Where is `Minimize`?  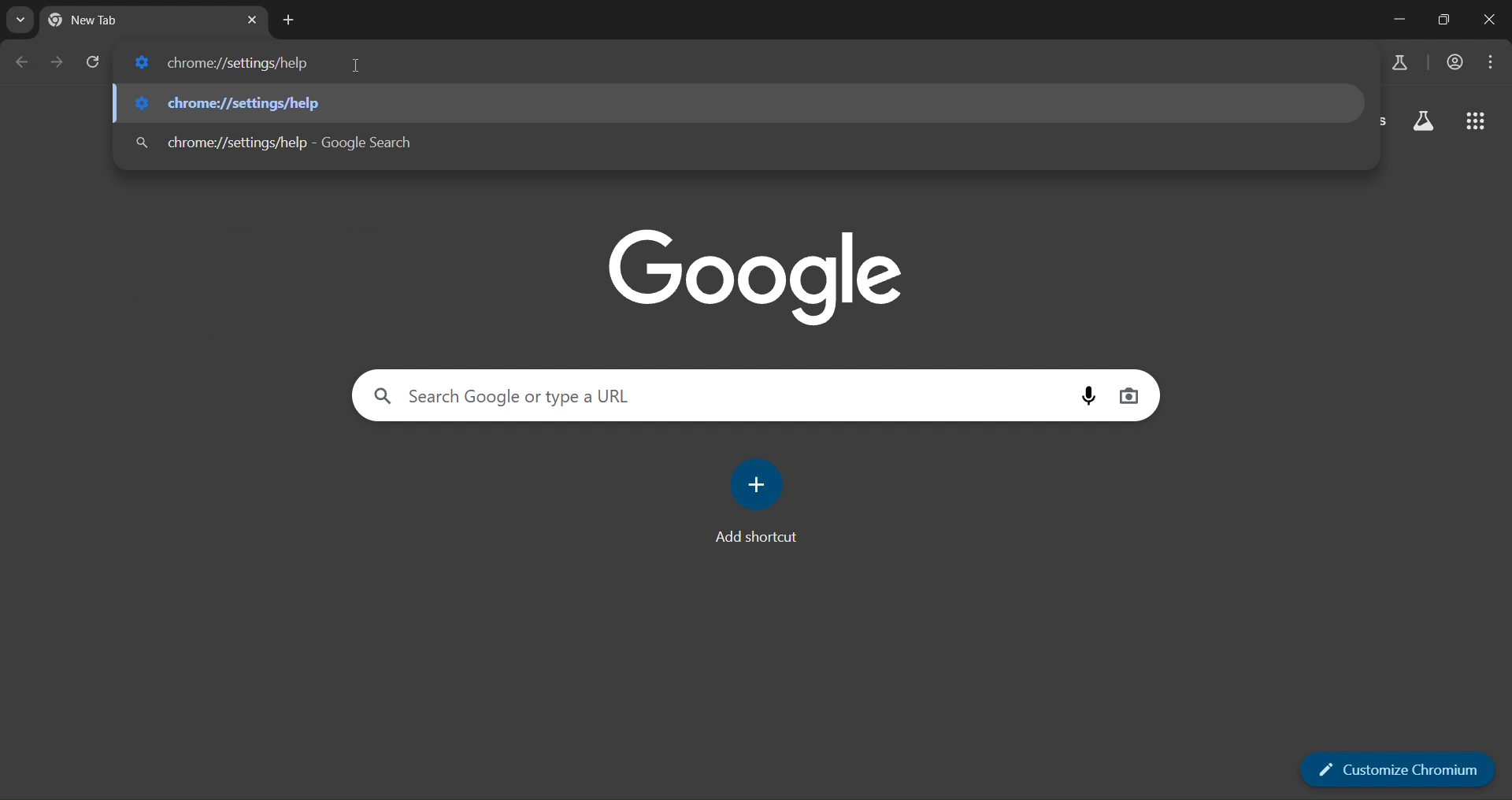
Minimize is located at coordinates (1397, 20).